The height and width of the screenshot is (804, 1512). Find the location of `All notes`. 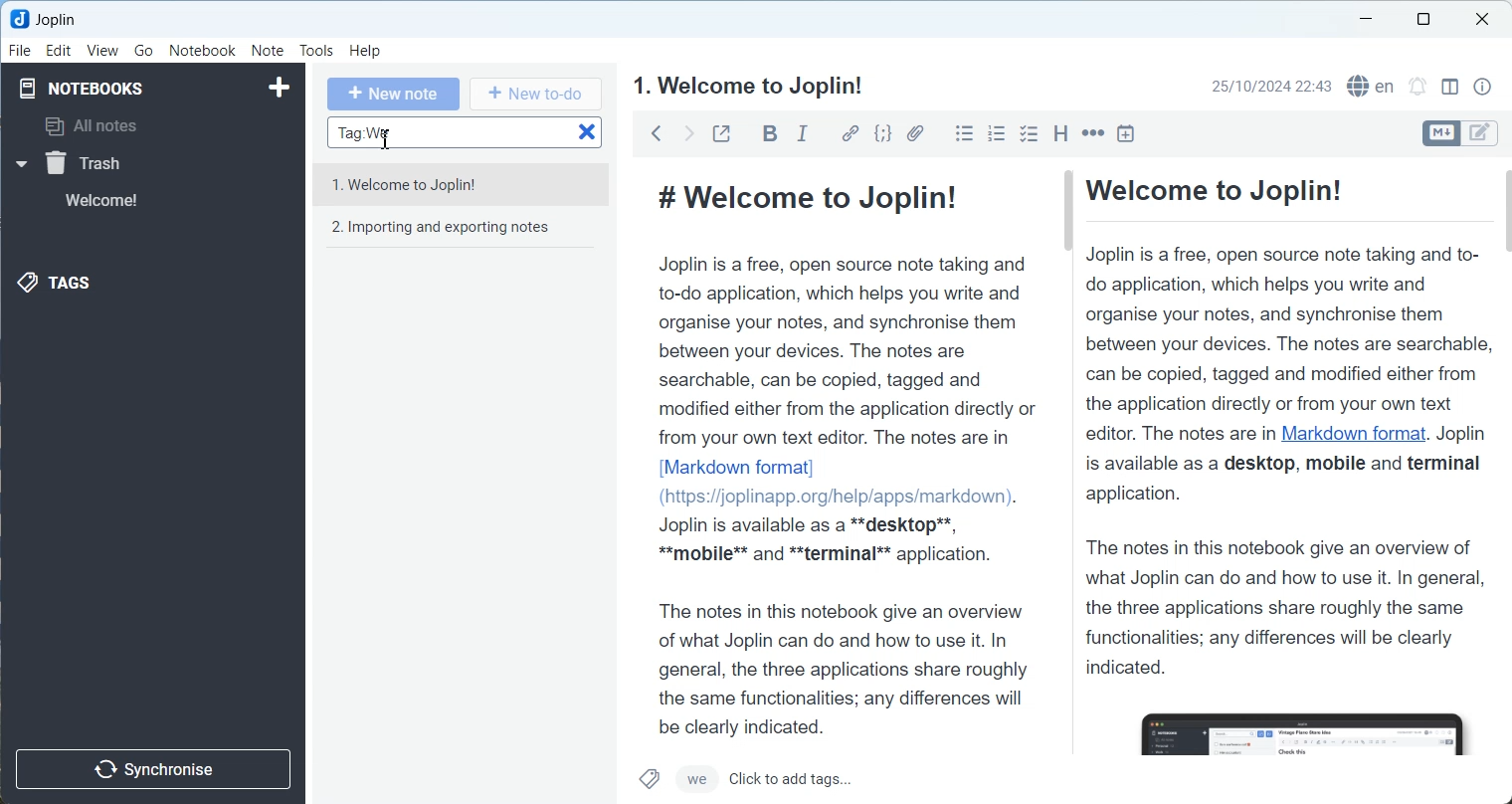

All notes is located at coordinates (160, 127).